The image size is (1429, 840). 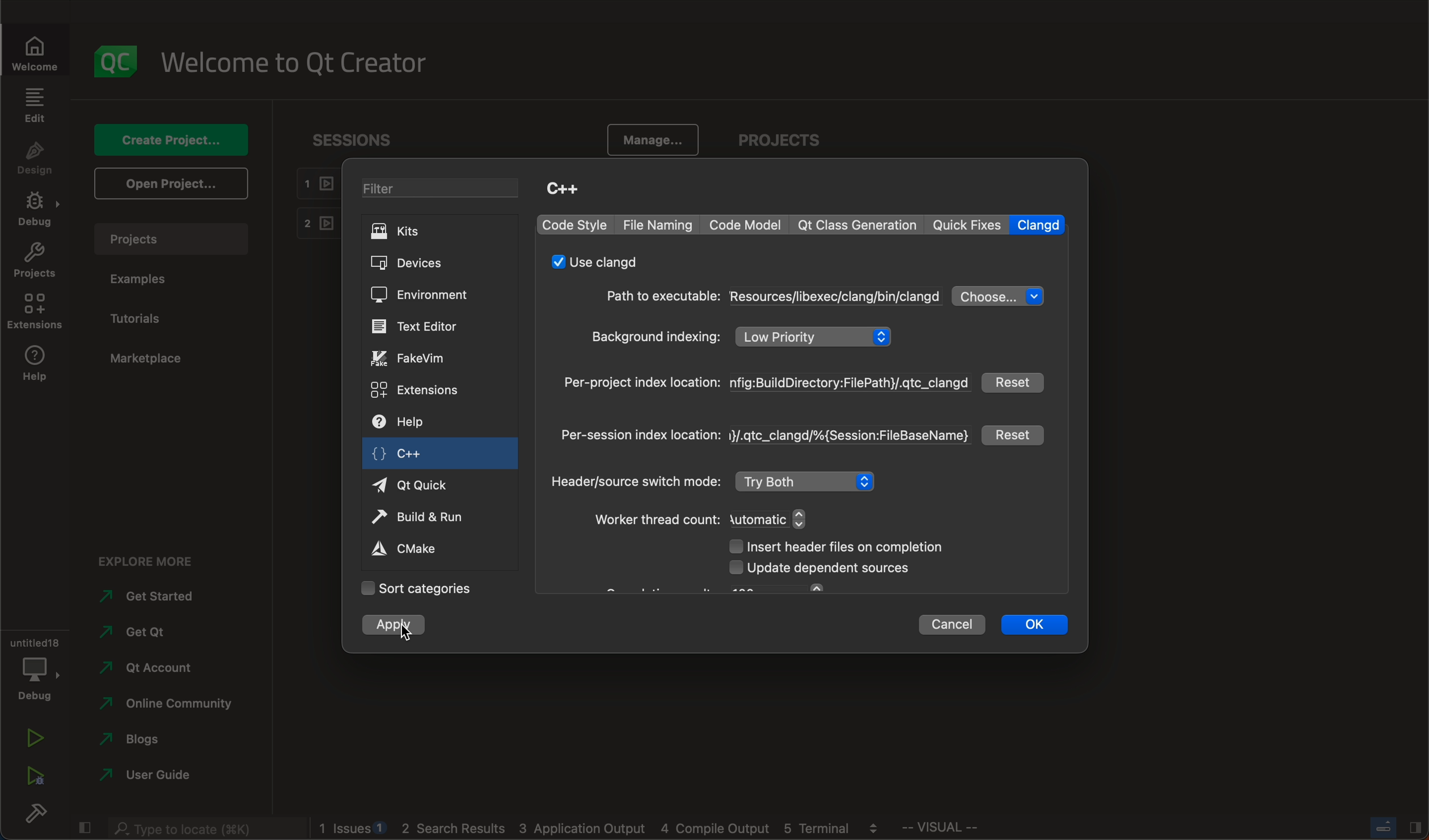 What do you see at coordinates (31, 54) in the screenshot?
I see `welcome` at bounding box center [31, 54].